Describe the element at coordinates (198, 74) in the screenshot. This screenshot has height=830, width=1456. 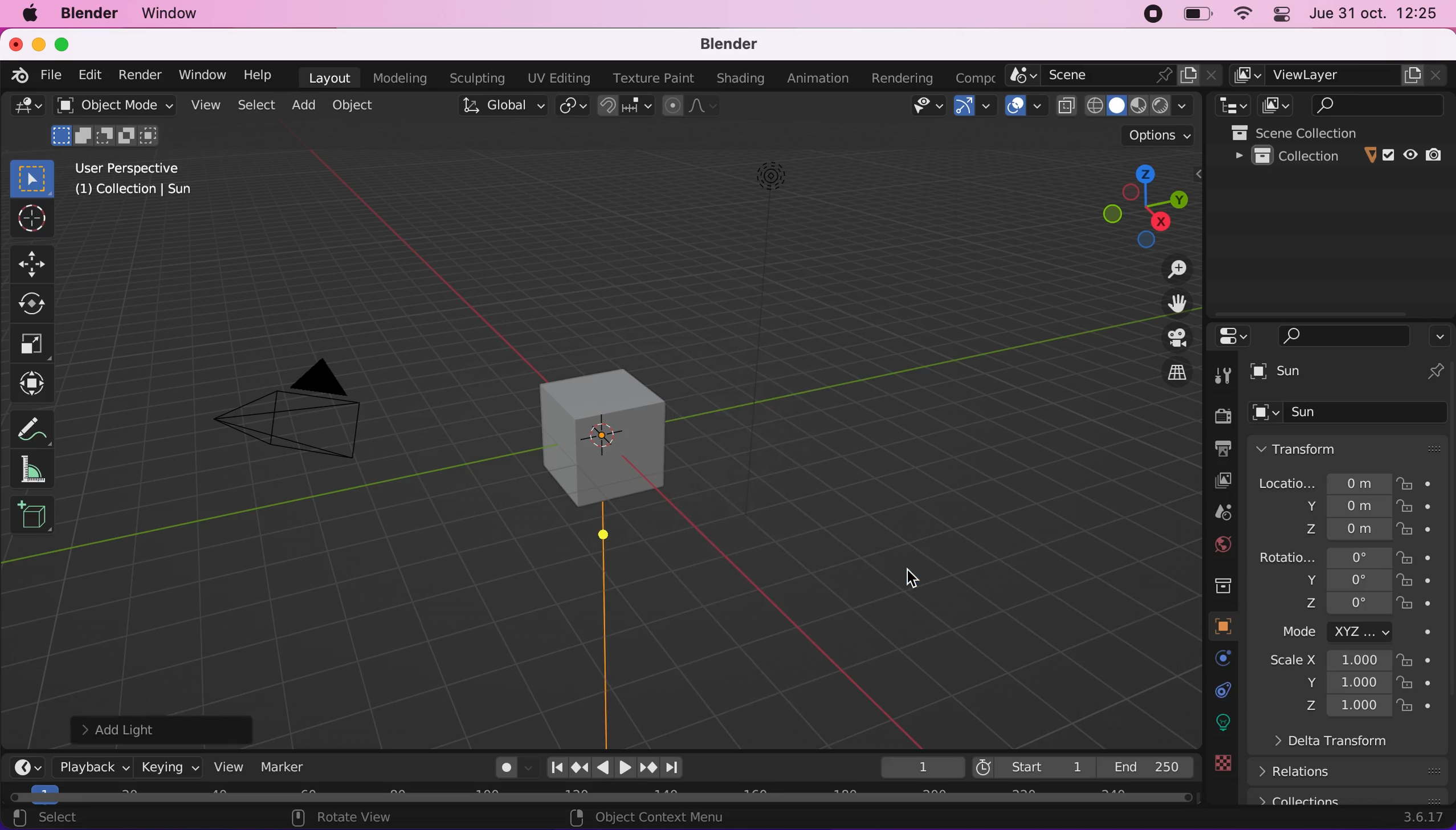
I see `window` at that location.